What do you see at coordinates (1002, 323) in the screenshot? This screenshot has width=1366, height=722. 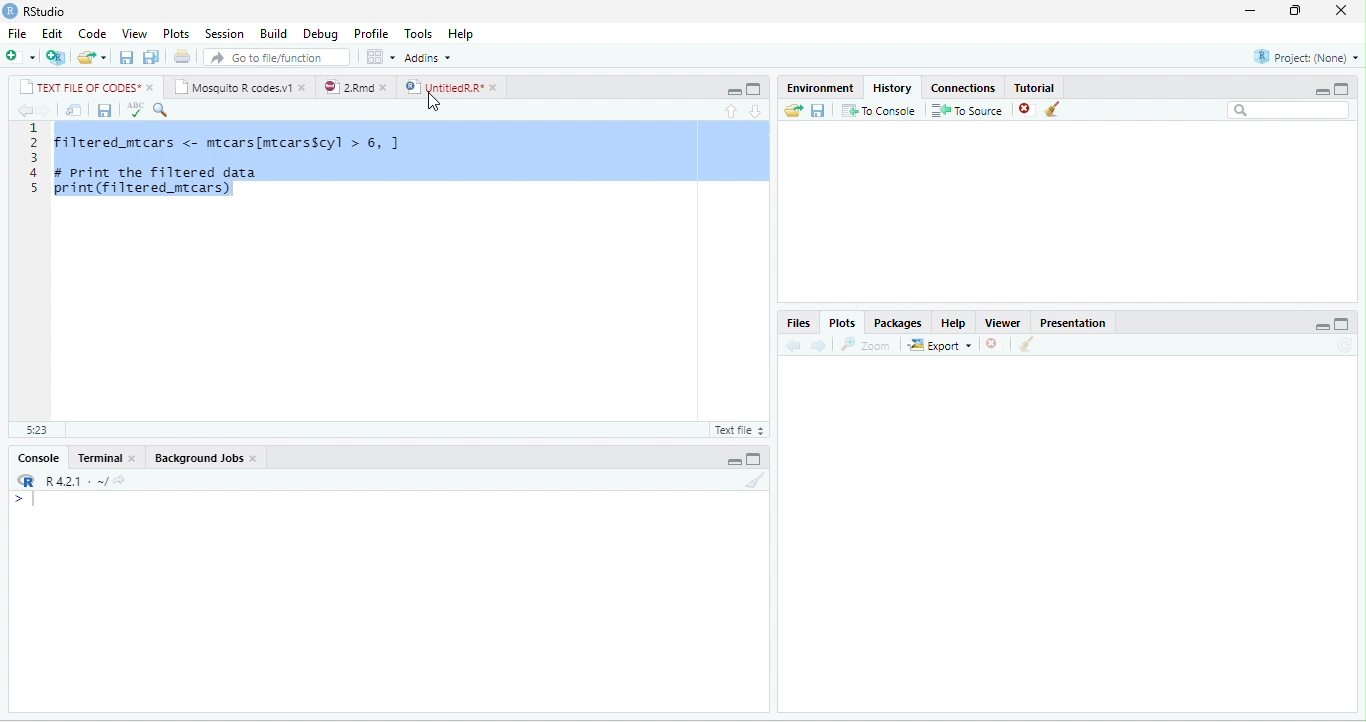 I see `Viewer` at bounding box center [1002, 323].